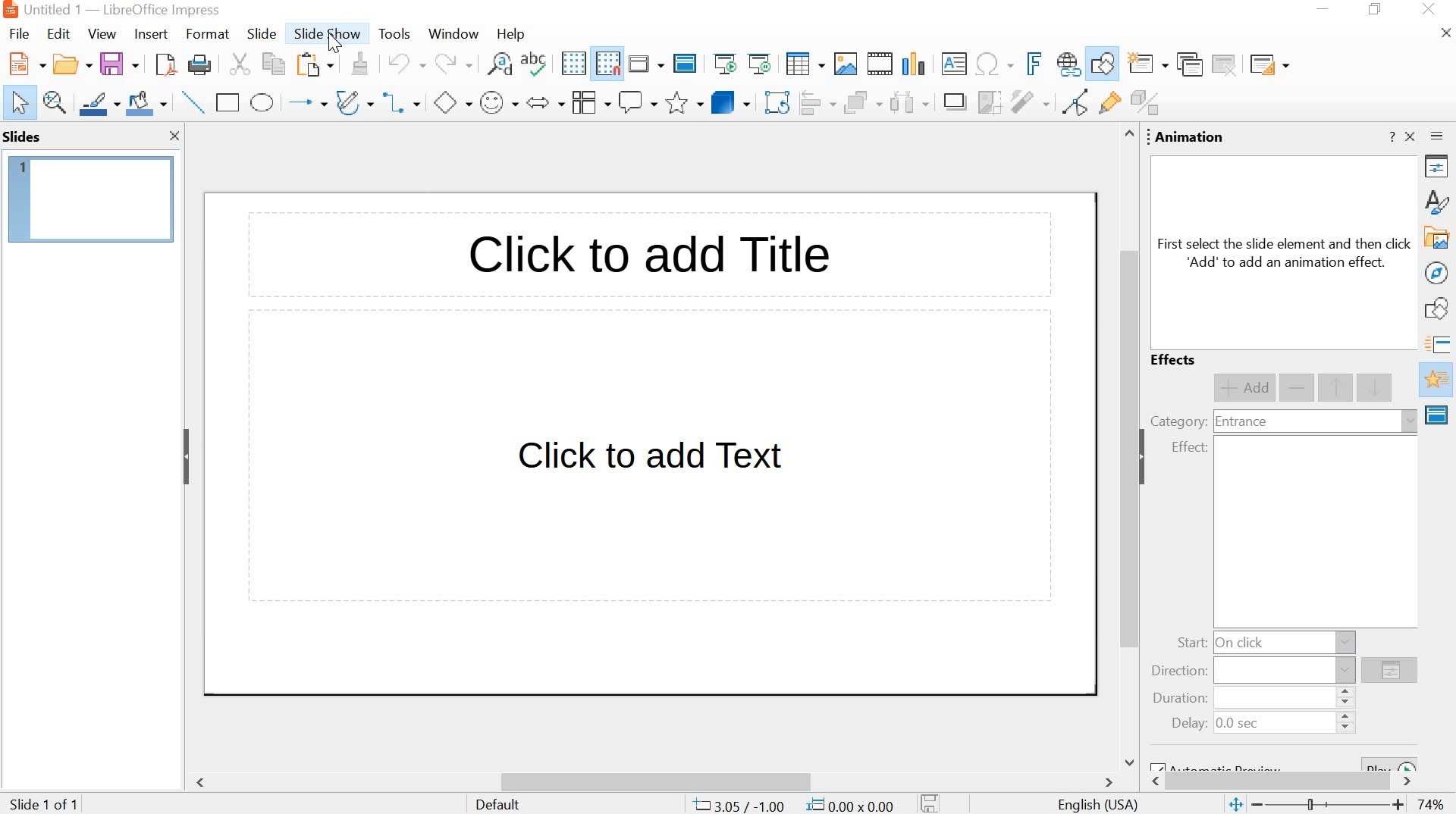  What do you see at coordinates (1176, 700) in the screenshot?
I see `duration` at bounding box center [1176, 700].